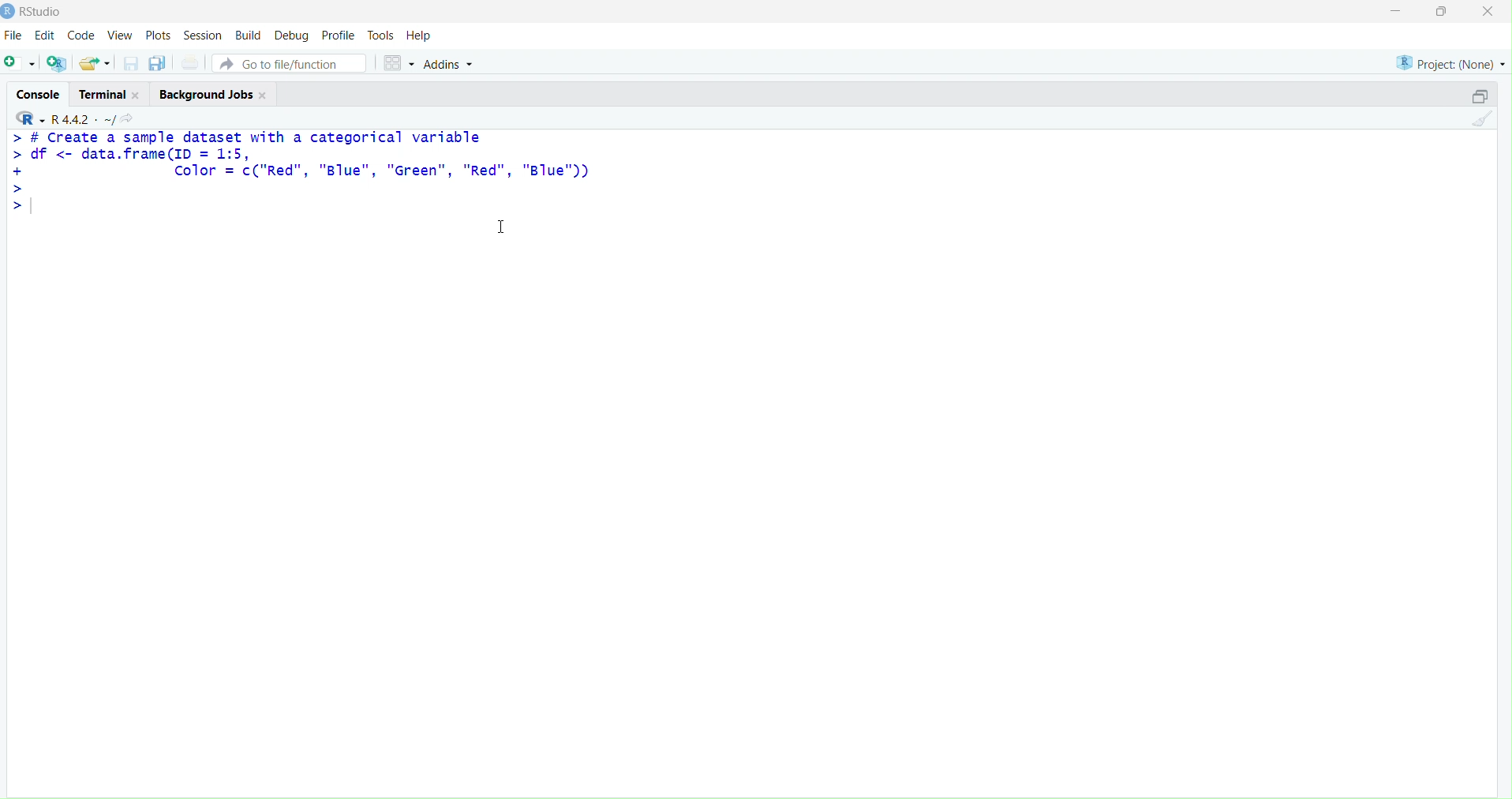  I want to click on open in separate window , so click(1480, 96).